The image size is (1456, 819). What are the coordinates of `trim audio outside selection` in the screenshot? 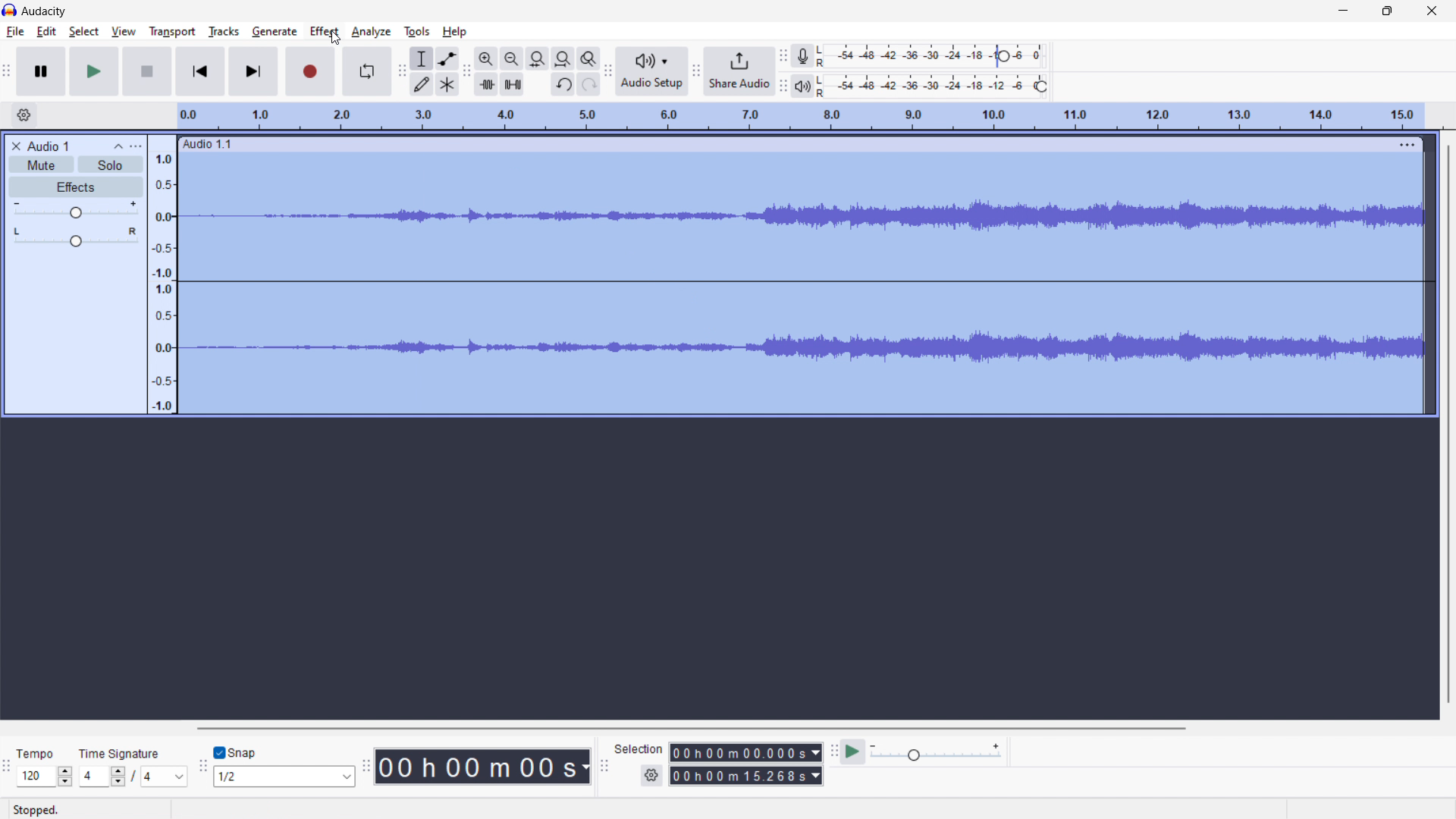 It's located at (486, 84).